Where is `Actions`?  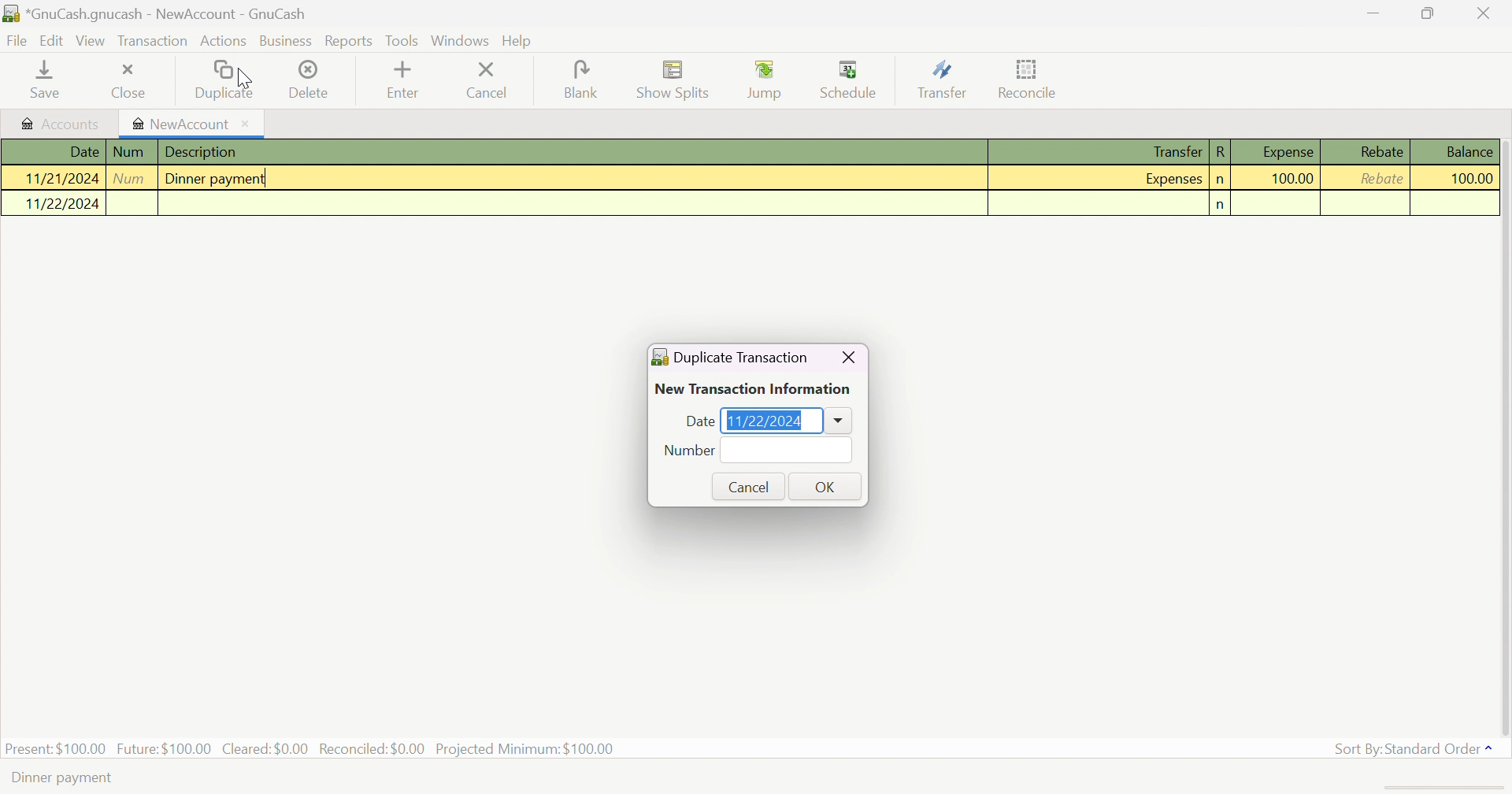 Actions is located at coordinates (224, 42).